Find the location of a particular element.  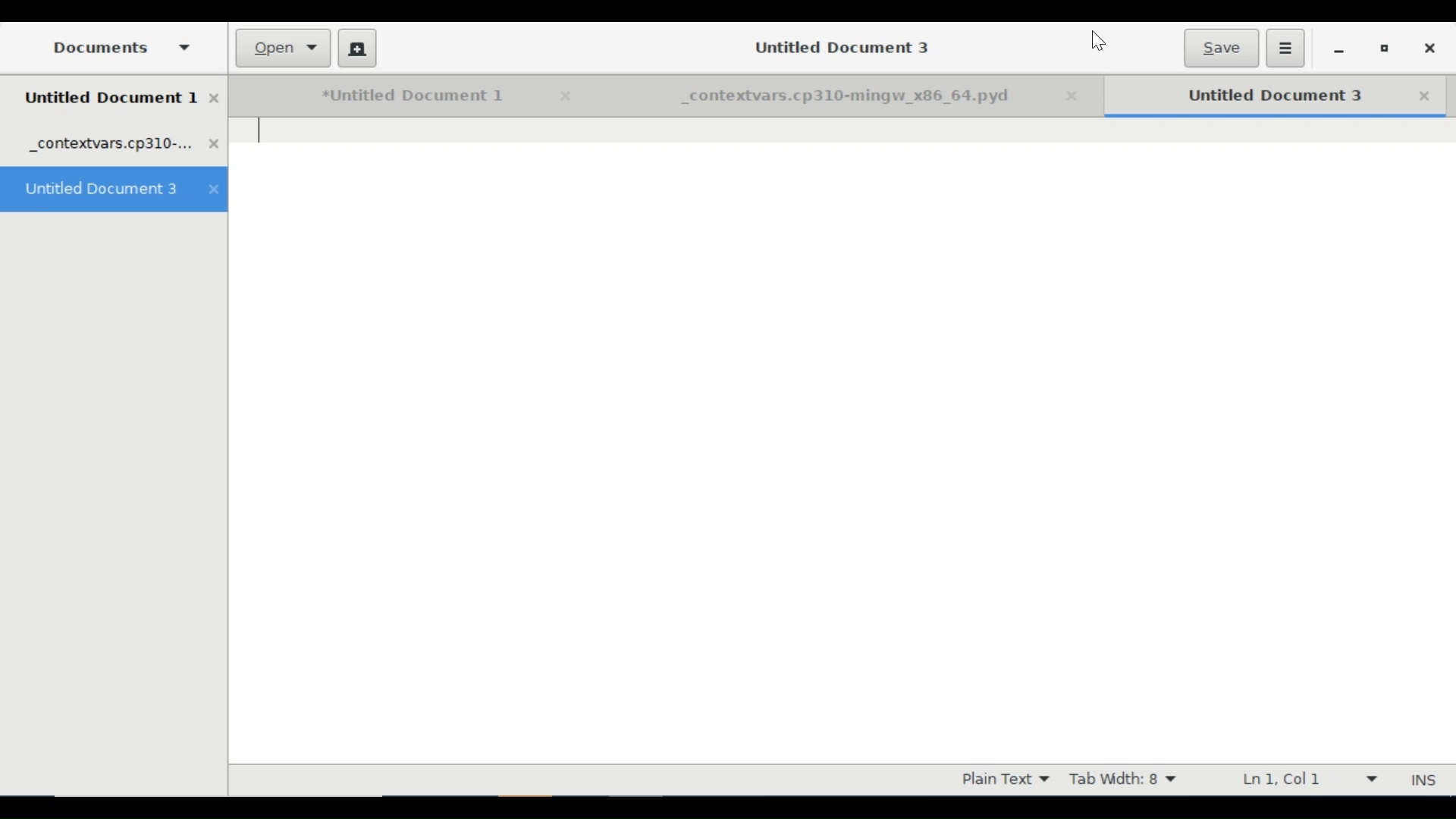

restore is located at coordinates (1385, 51).